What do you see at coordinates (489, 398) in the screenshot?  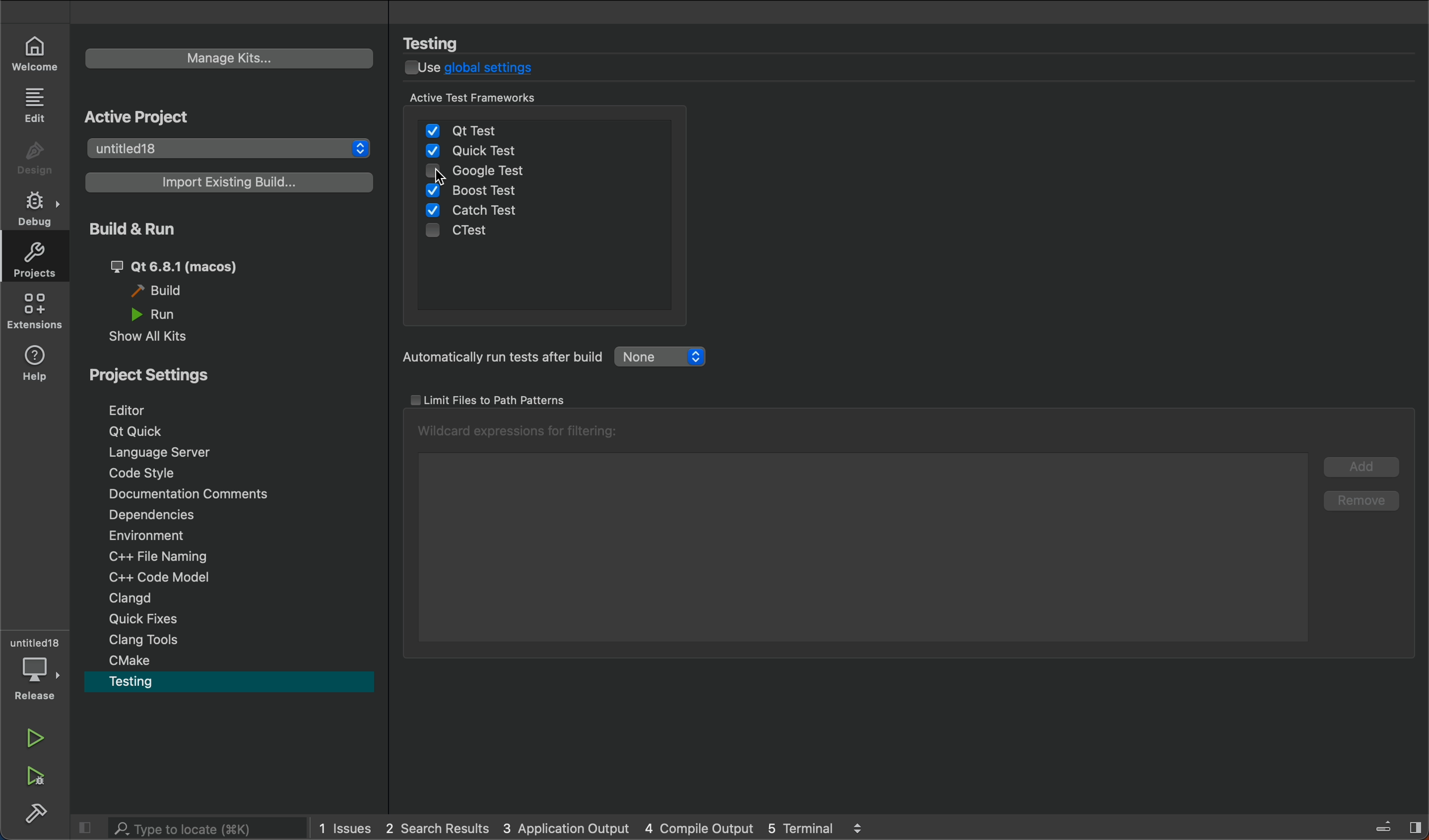 I see `limit tests` at bounding box center [489, 398].